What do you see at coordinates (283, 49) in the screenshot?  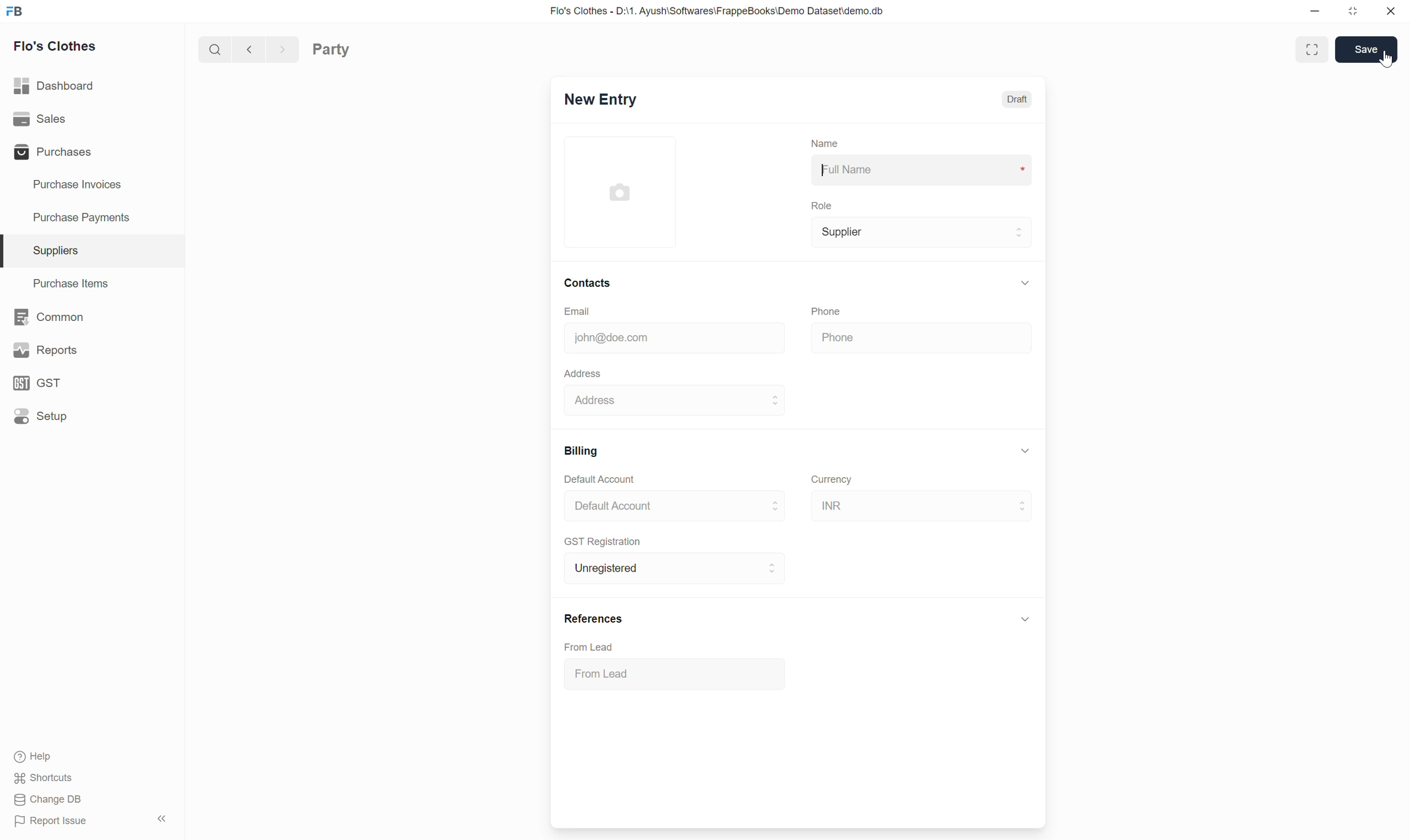 I see `Next` at bounding box center [283, 49].